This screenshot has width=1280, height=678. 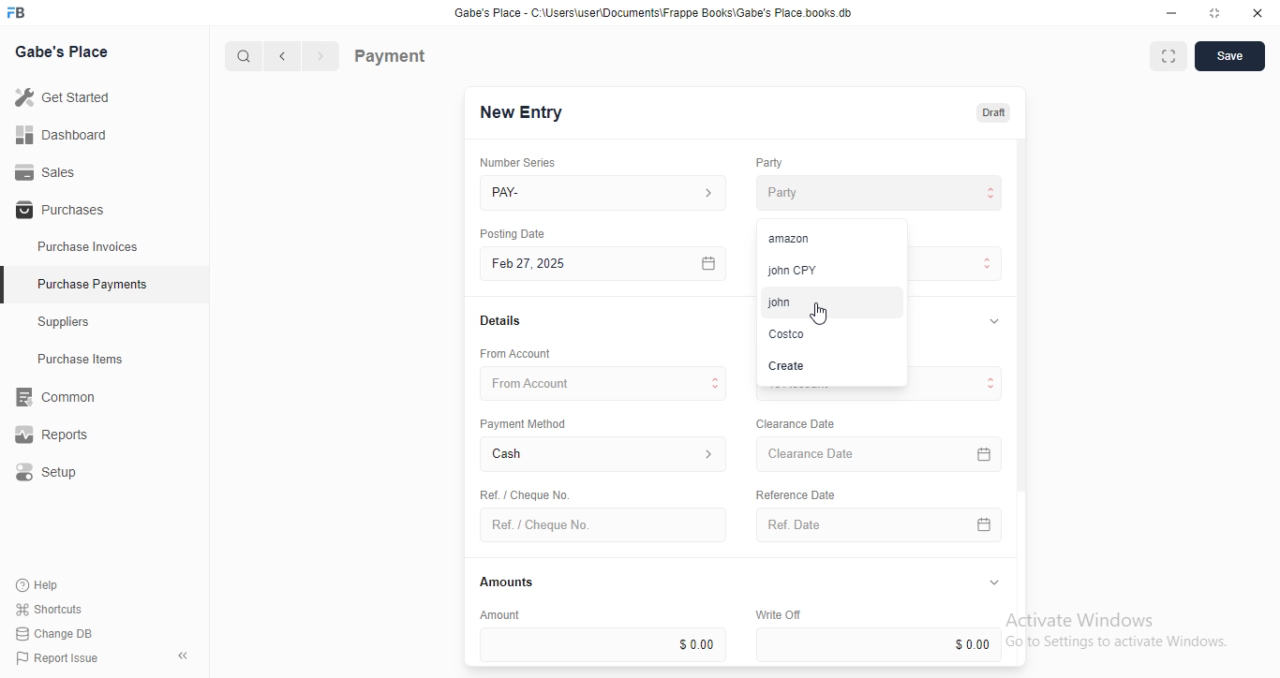 I want to click on Details, so click(x=498, y=321).